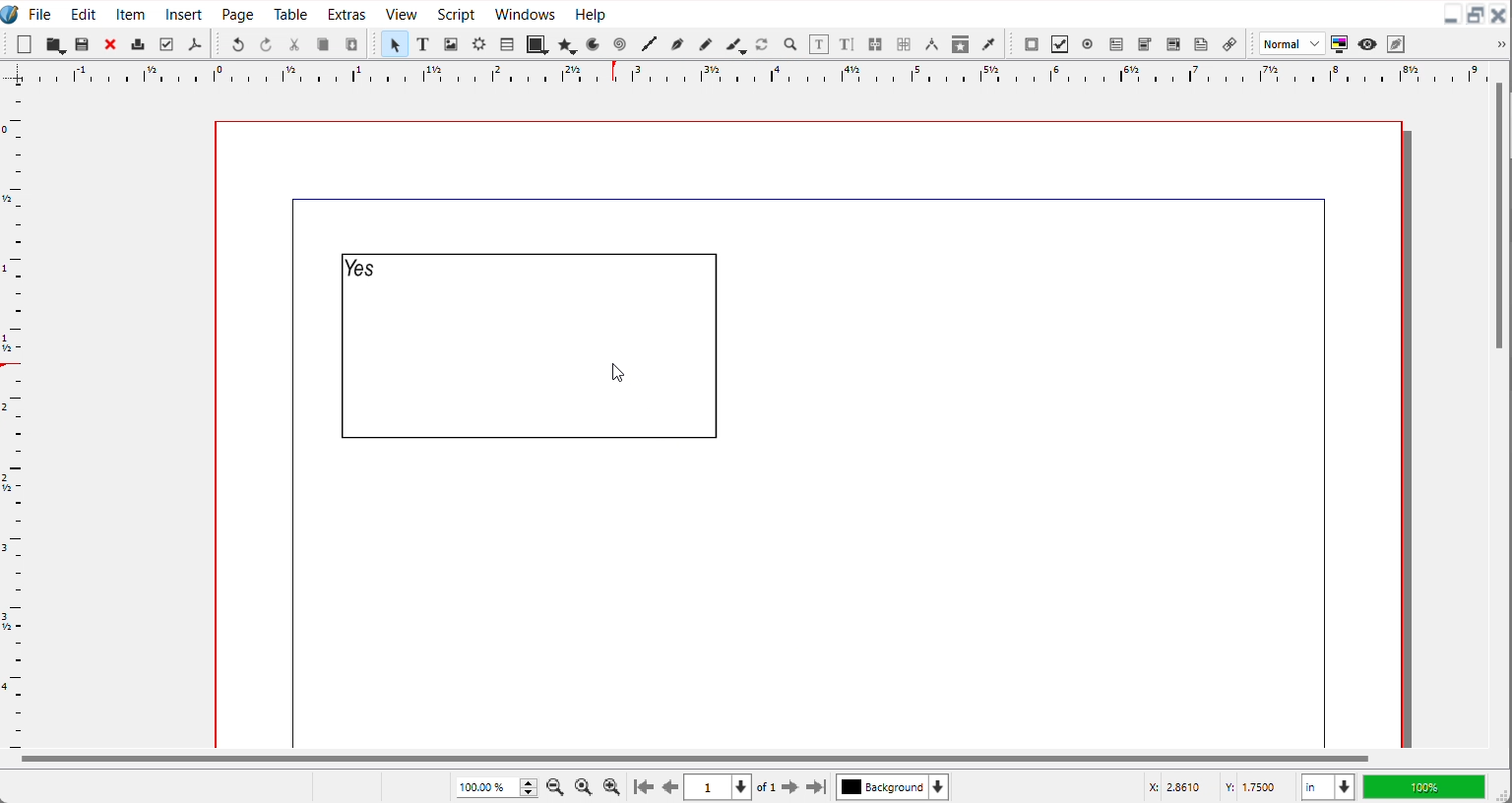 The height and width of the screenshot is (803, 1512). Describe the element at coordinates (595, 43) in the screenshot. I see `Arc` at that location.